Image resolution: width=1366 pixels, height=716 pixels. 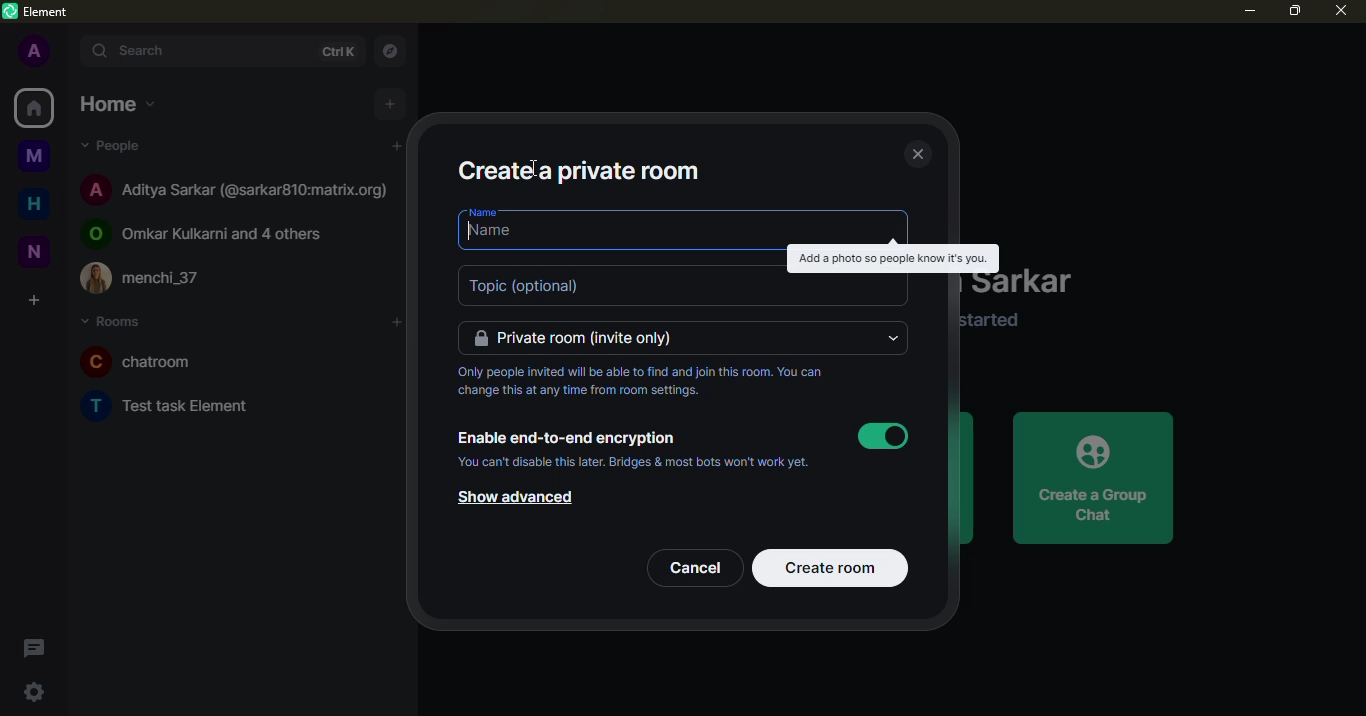 What do you see at coordinates (205, 234) in the screenshot?
I see `Omkar Kulkarni and 4 others` at bounding box center [205, 234].